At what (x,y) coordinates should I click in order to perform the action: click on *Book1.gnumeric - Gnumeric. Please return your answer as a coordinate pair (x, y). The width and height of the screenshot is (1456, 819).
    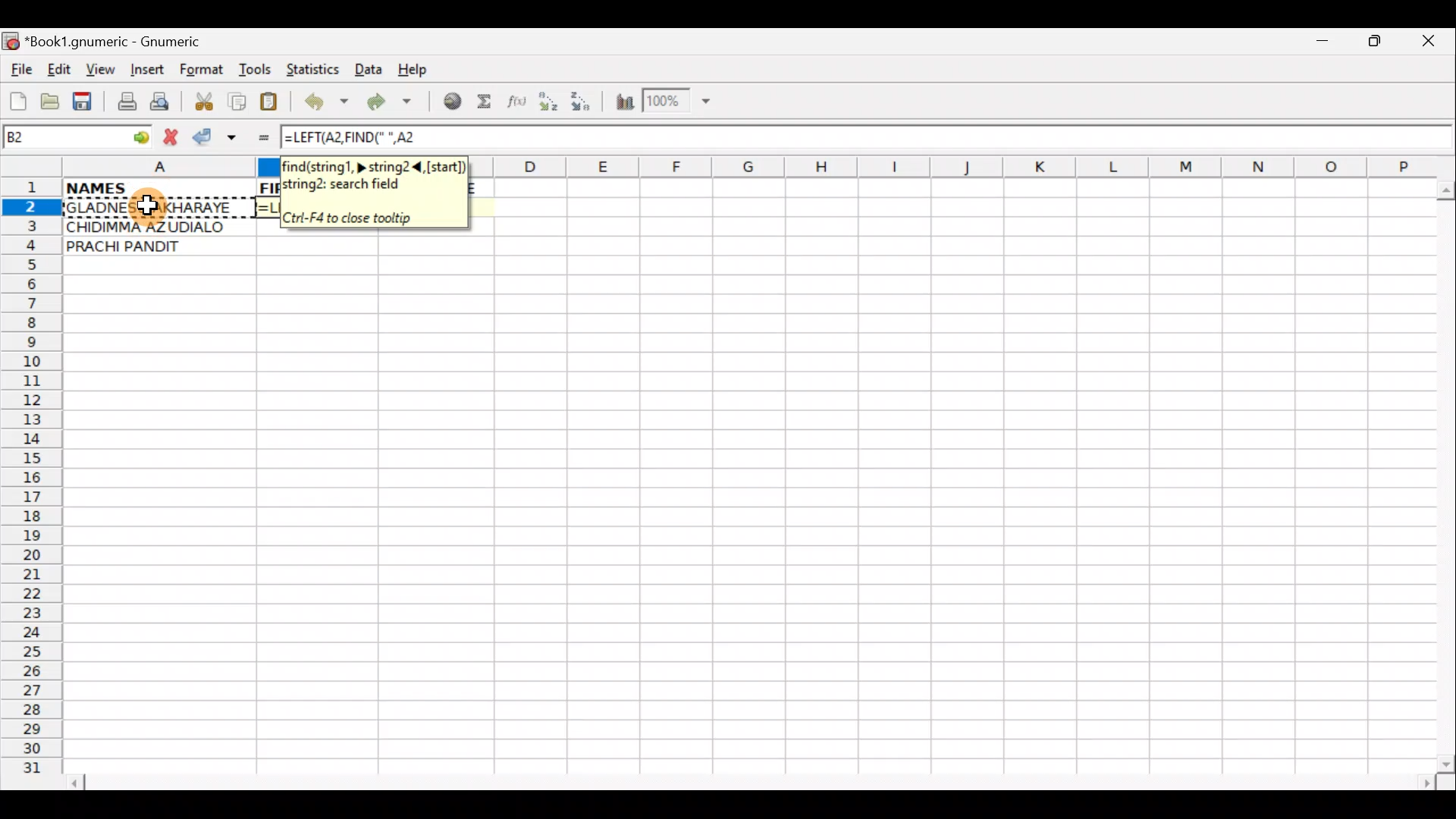
    Looking at the image, I should click on (127, 42).